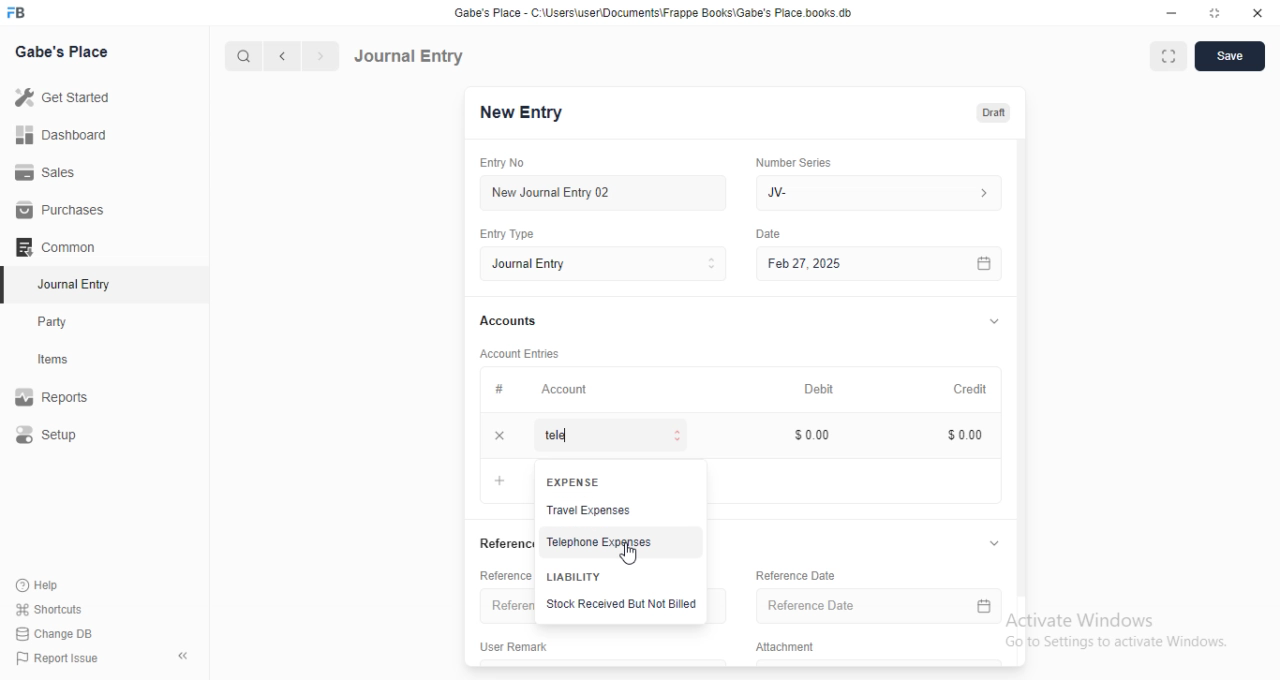  What do you see at coordinates (877, 192) in the screenshot?
I see `IV-` at bounding box center [877, 192].